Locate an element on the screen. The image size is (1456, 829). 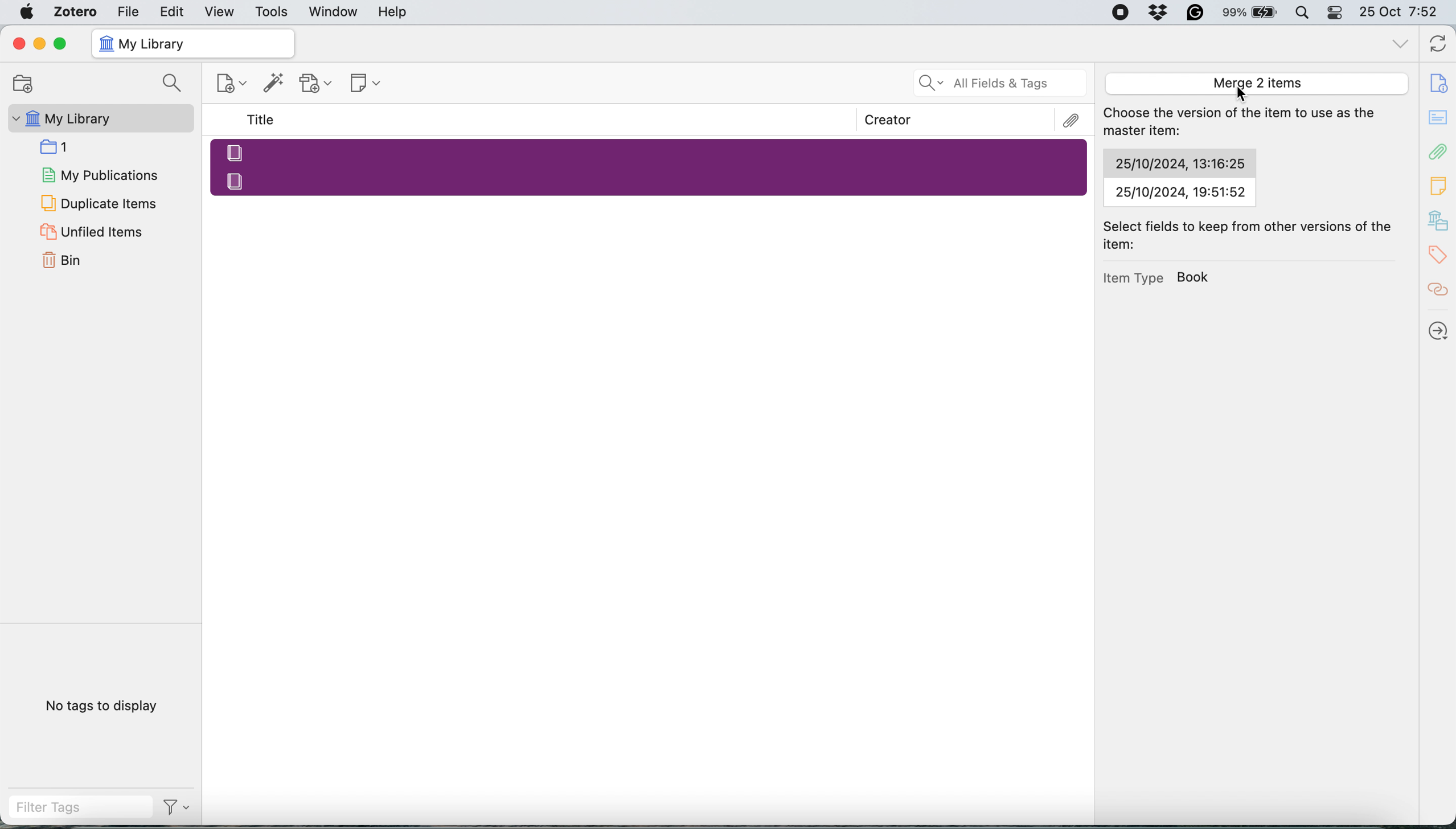
Citations is located at coordinates (1439, 290).